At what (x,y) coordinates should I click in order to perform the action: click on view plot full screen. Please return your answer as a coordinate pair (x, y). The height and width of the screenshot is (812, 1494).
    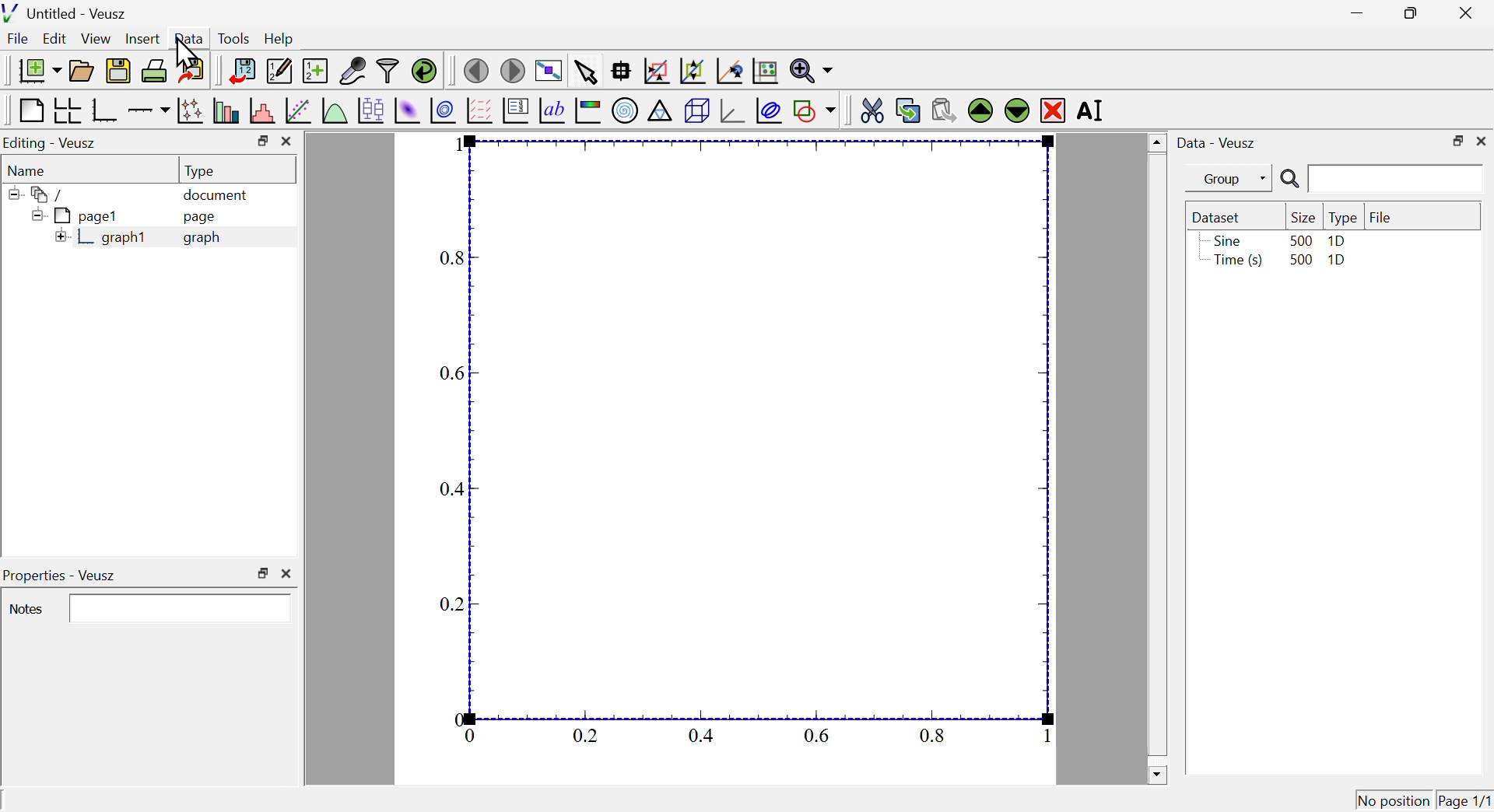
    Looking at the image, I should click on (549, 69).